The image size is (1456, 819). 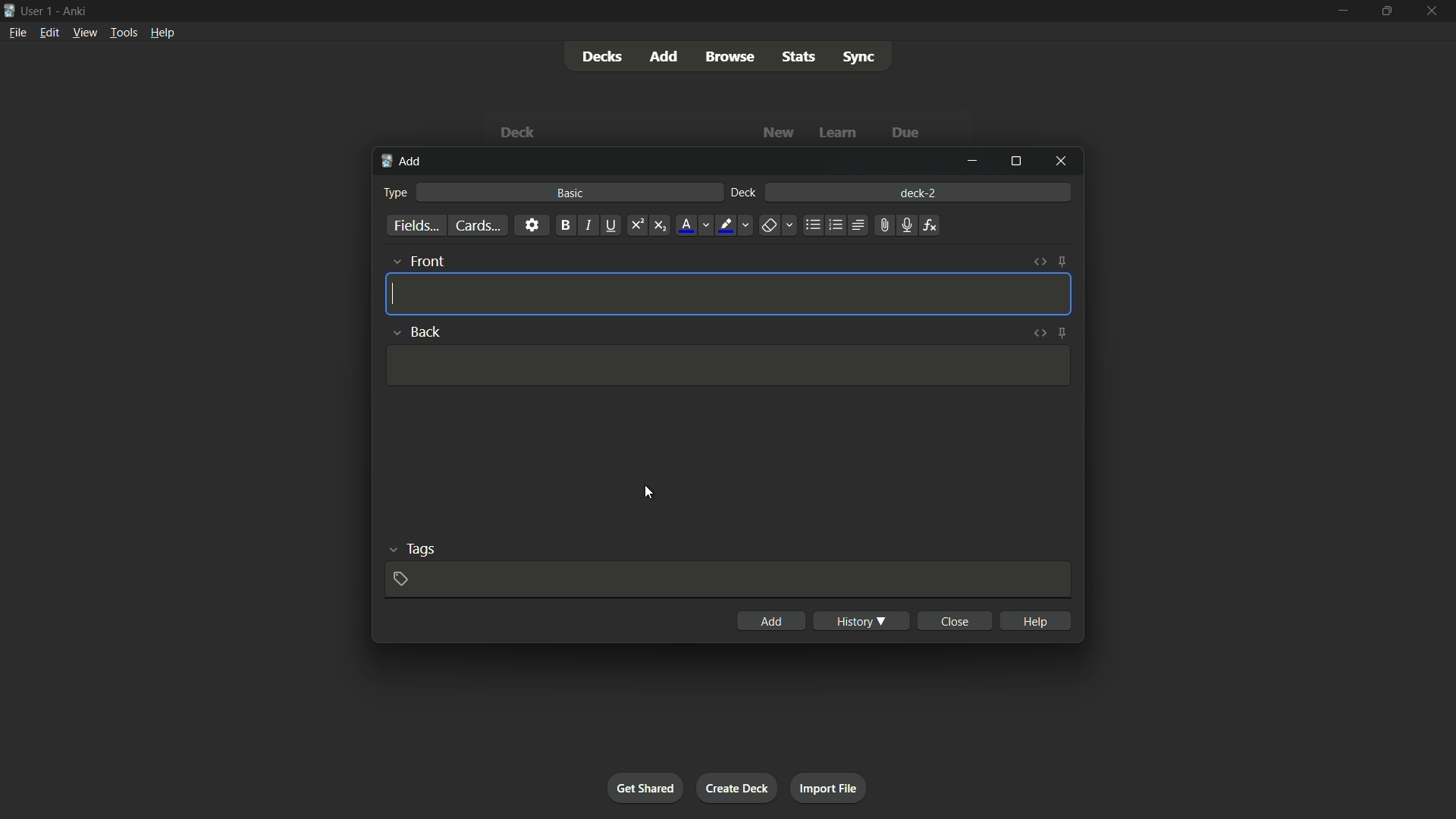 What do you see at coordinates (833, 226) in the screenshot?
I see `ordered list` at bounding box center [833, 226].